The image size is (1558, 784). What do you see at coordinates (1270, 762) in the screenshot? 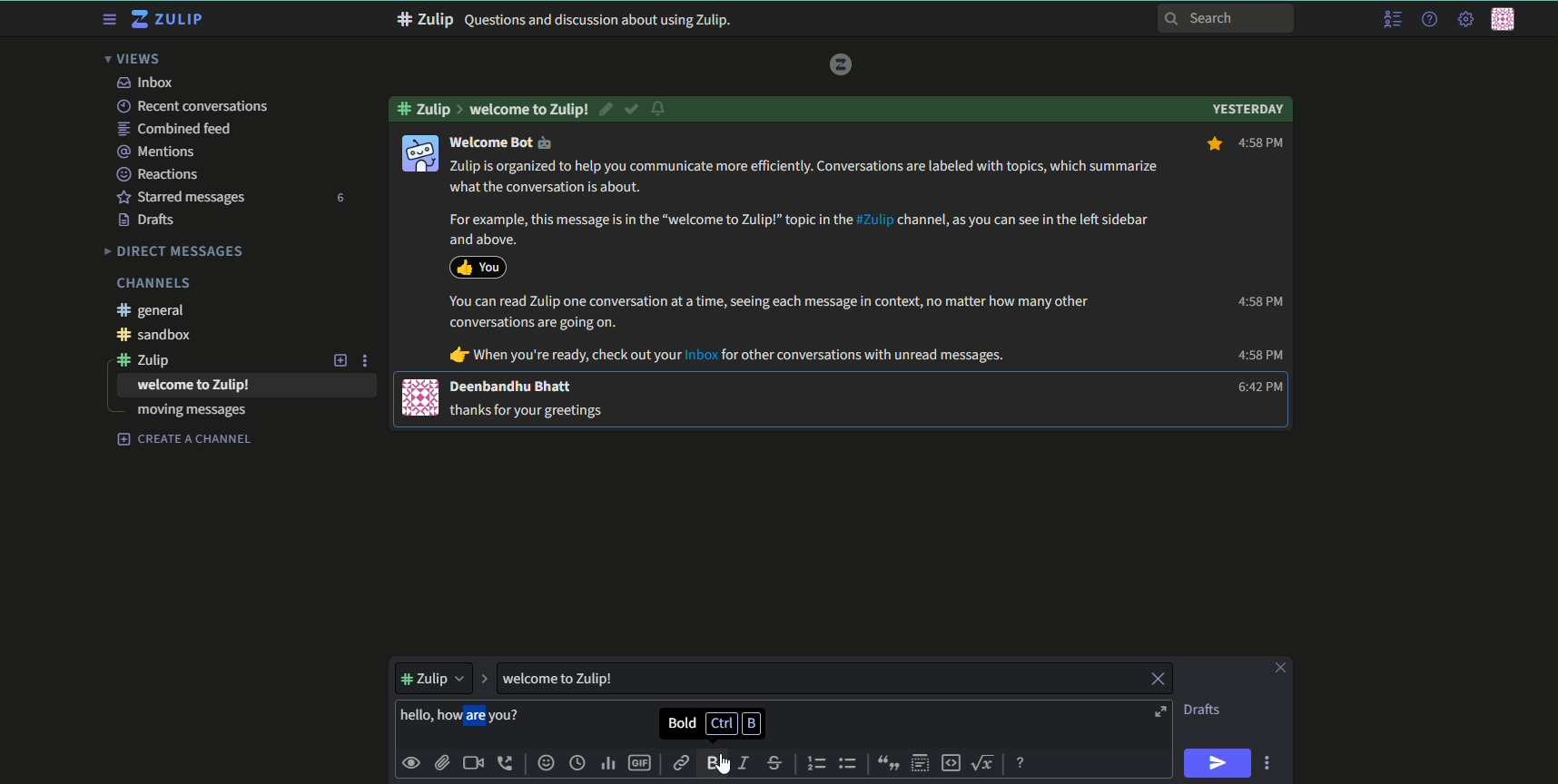
I see `options` at bounding box center [1270, 762].